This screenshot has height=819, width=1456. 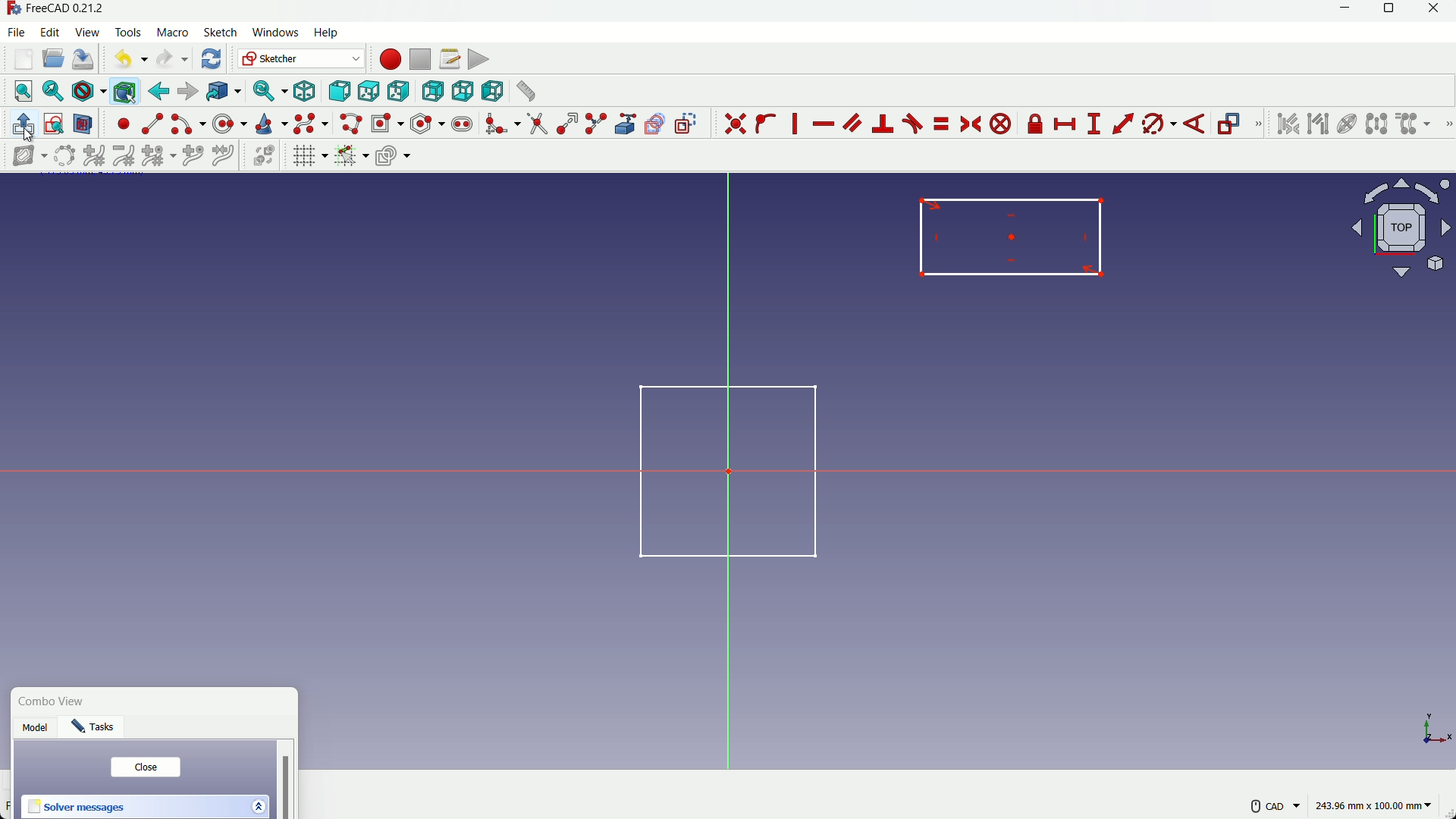 What do you see at coordinates (1123, 124) in the screenshot?
I see `constraint distance` at bounding box center [1123, 124].